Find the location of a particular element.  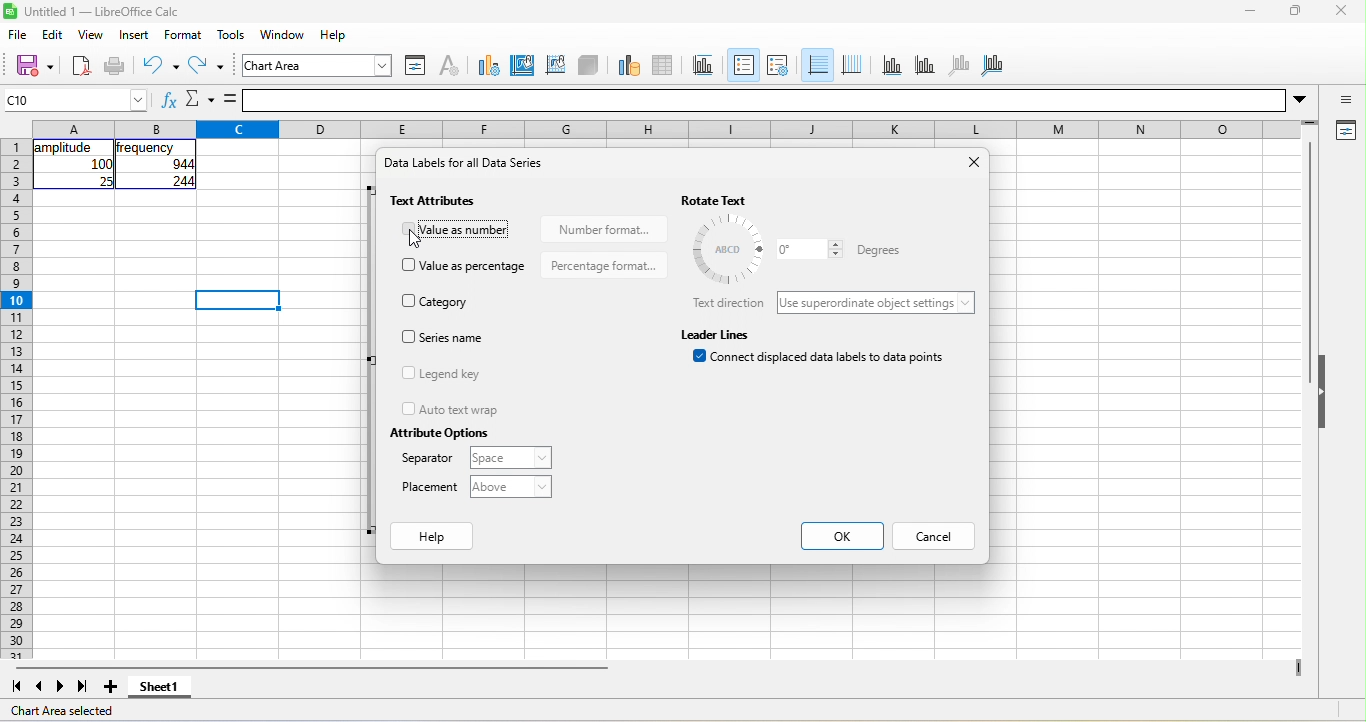

column headings is located at coordinates (672, 127).